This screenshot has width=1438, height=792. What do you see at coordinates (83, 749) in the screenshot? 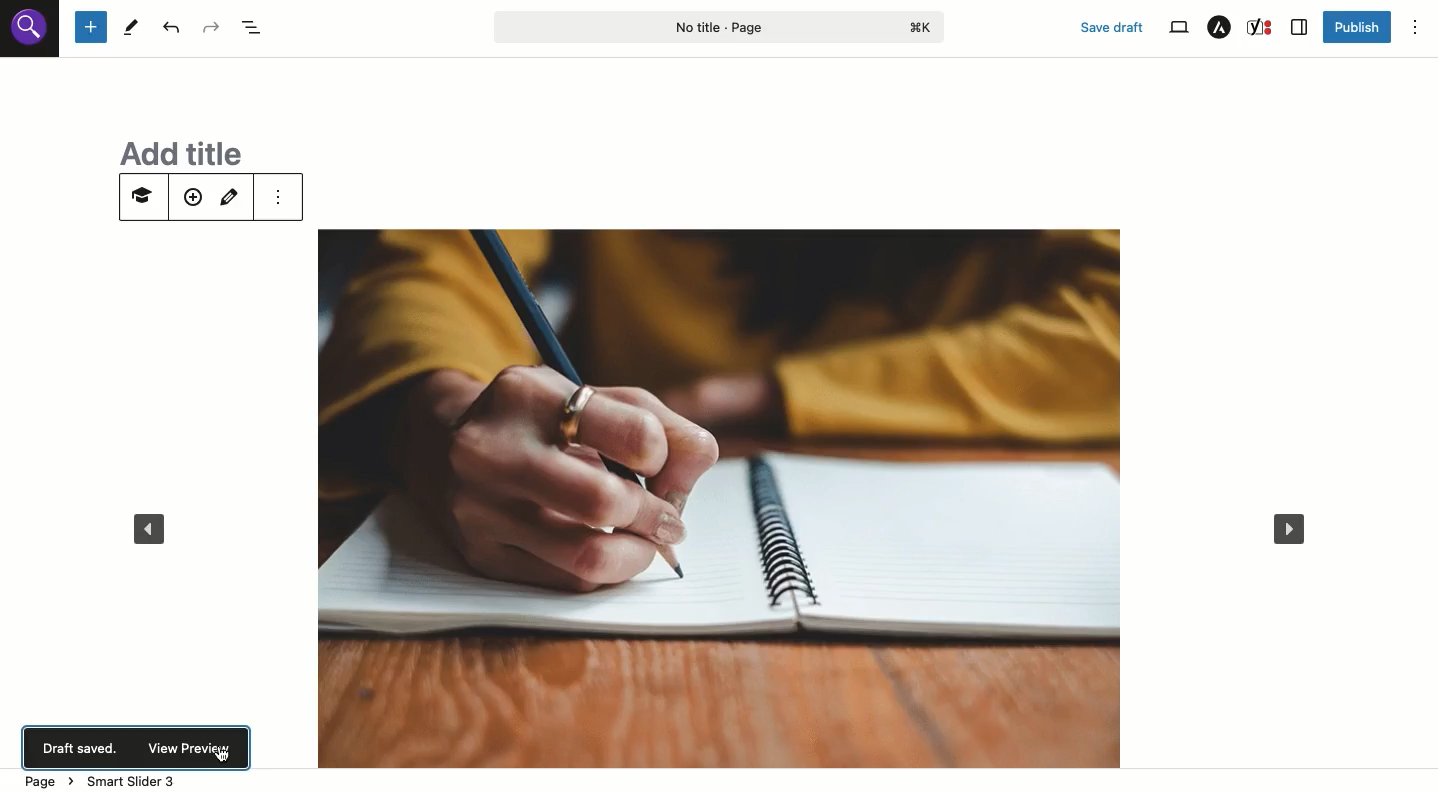
I see `Draft saved` at bounding box center [83, 749].